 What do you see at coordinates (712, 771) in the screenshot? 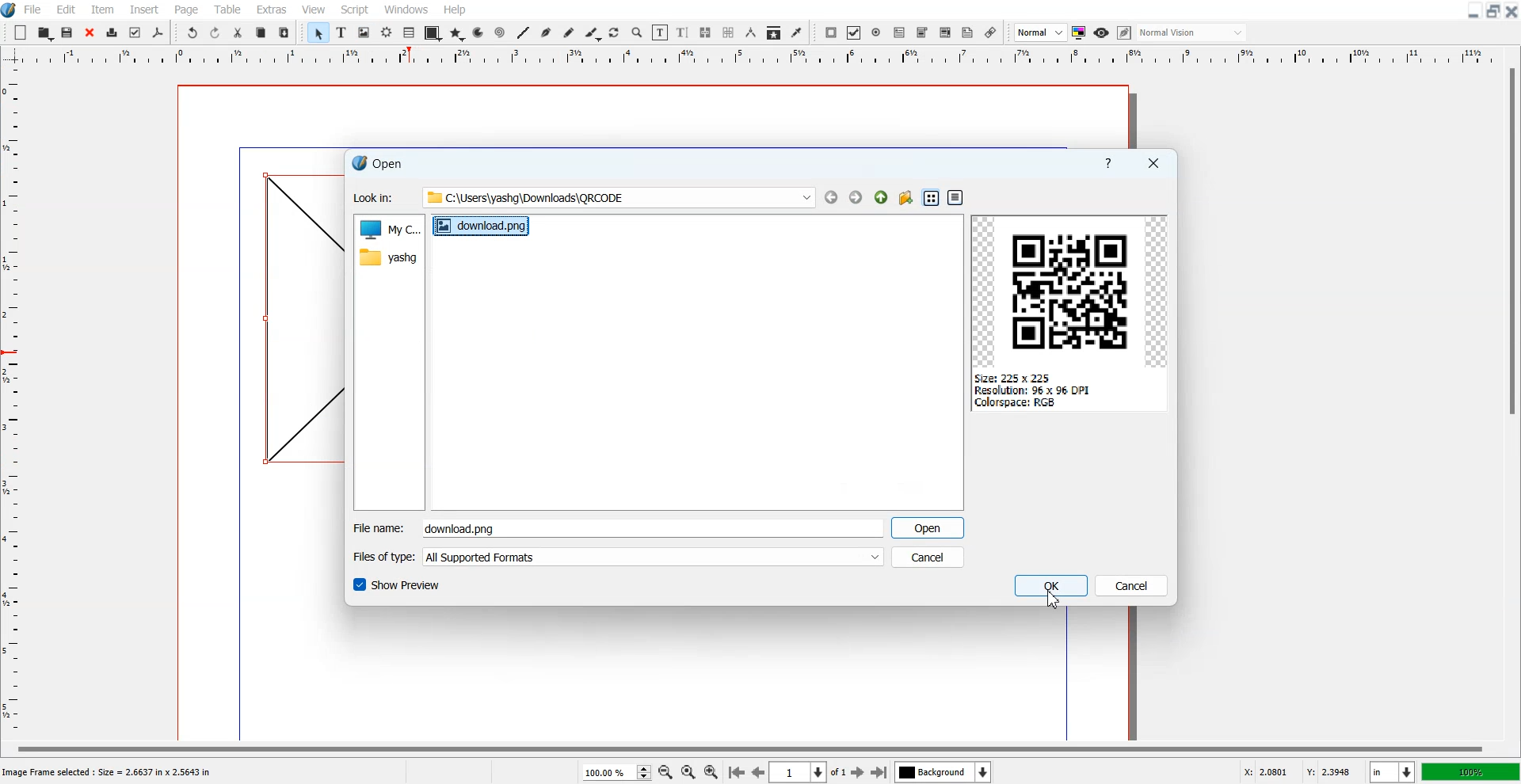
I see `Zoom In` at bounding box center [712, 771].